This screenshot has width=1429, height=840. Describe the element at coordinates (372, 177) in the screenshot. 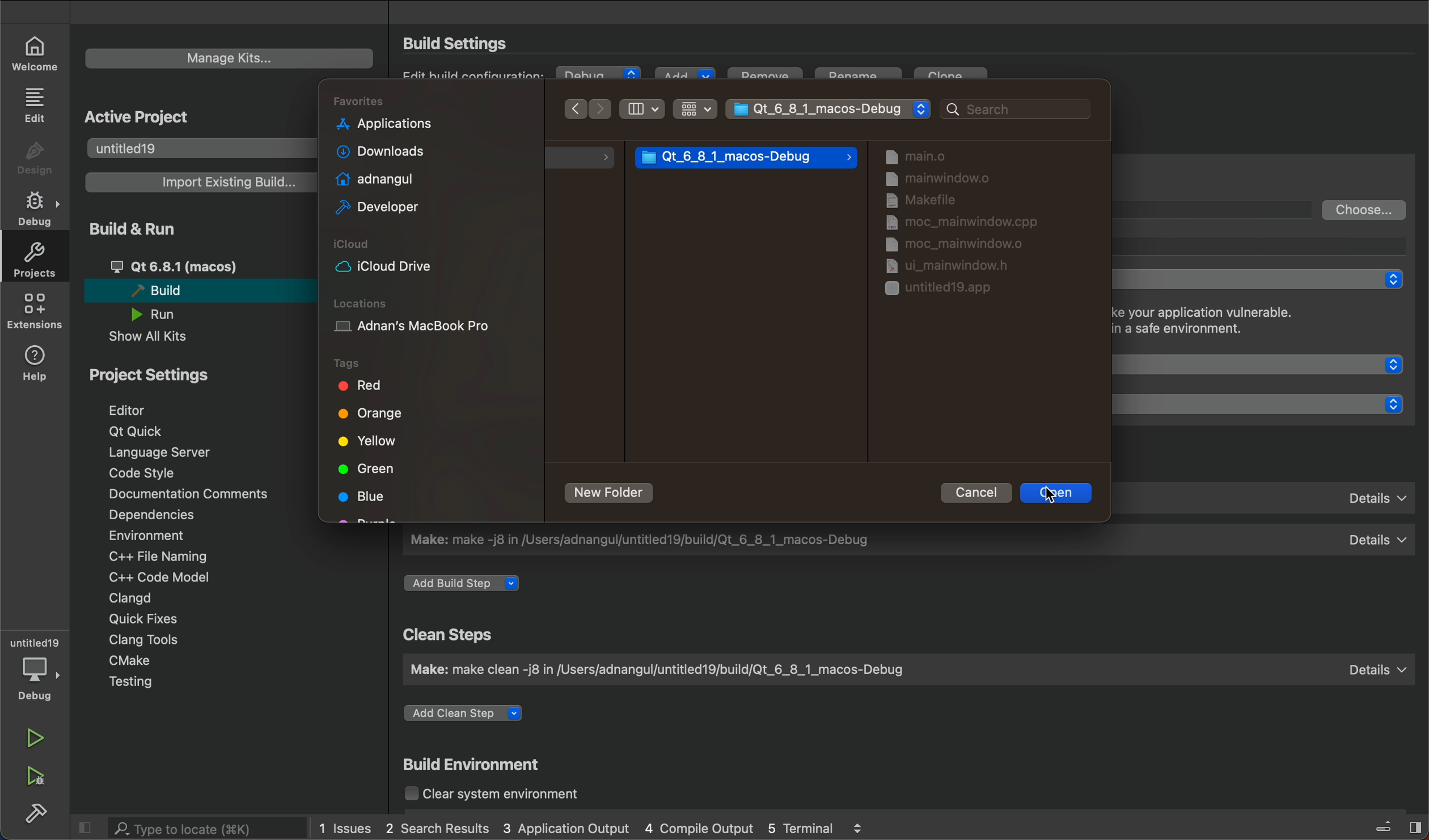

I see `adnan gul` at that location.